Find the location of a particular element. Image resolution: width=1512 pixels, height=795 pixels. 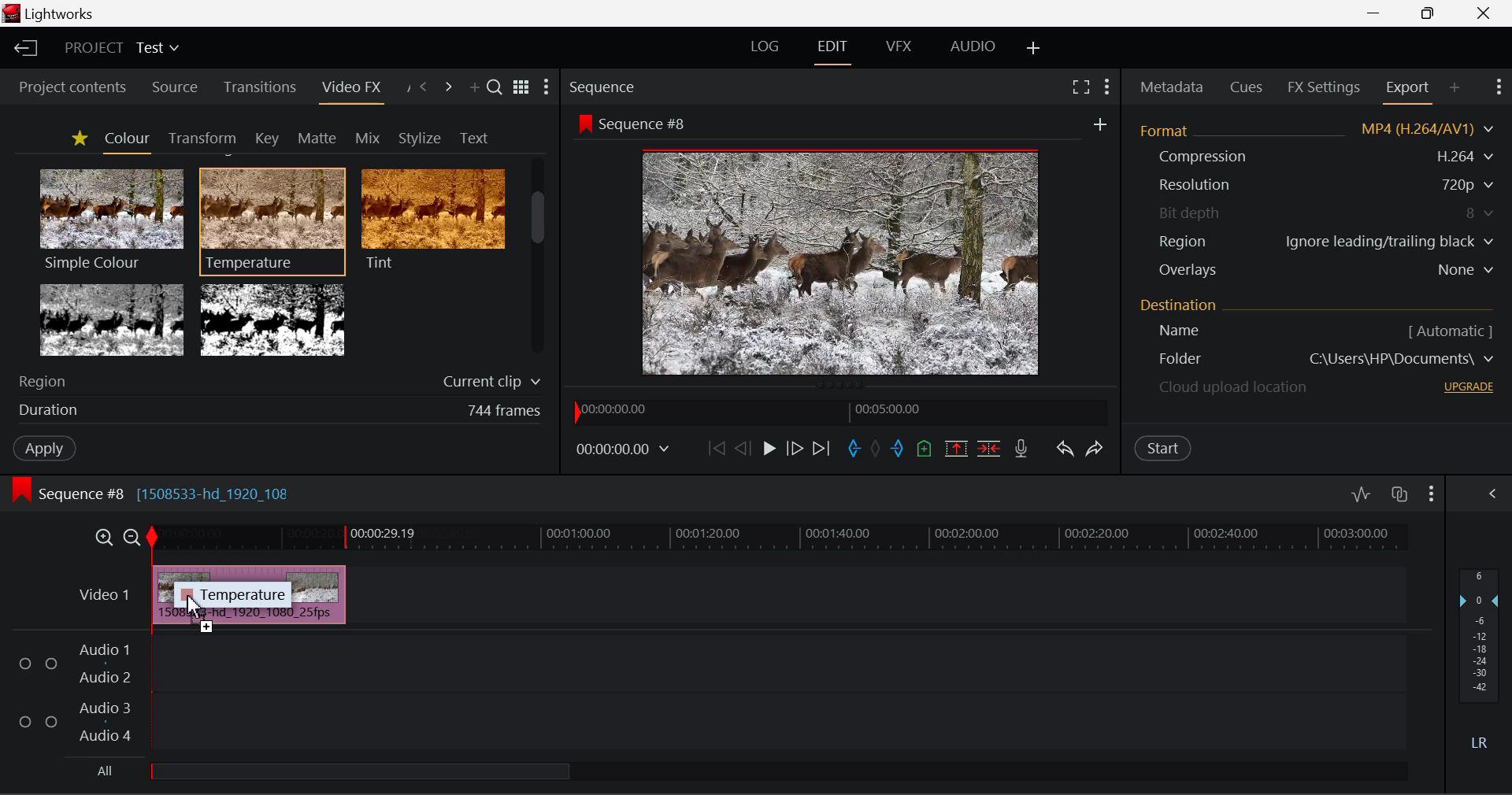

Key is located at coordinates (266, 138).